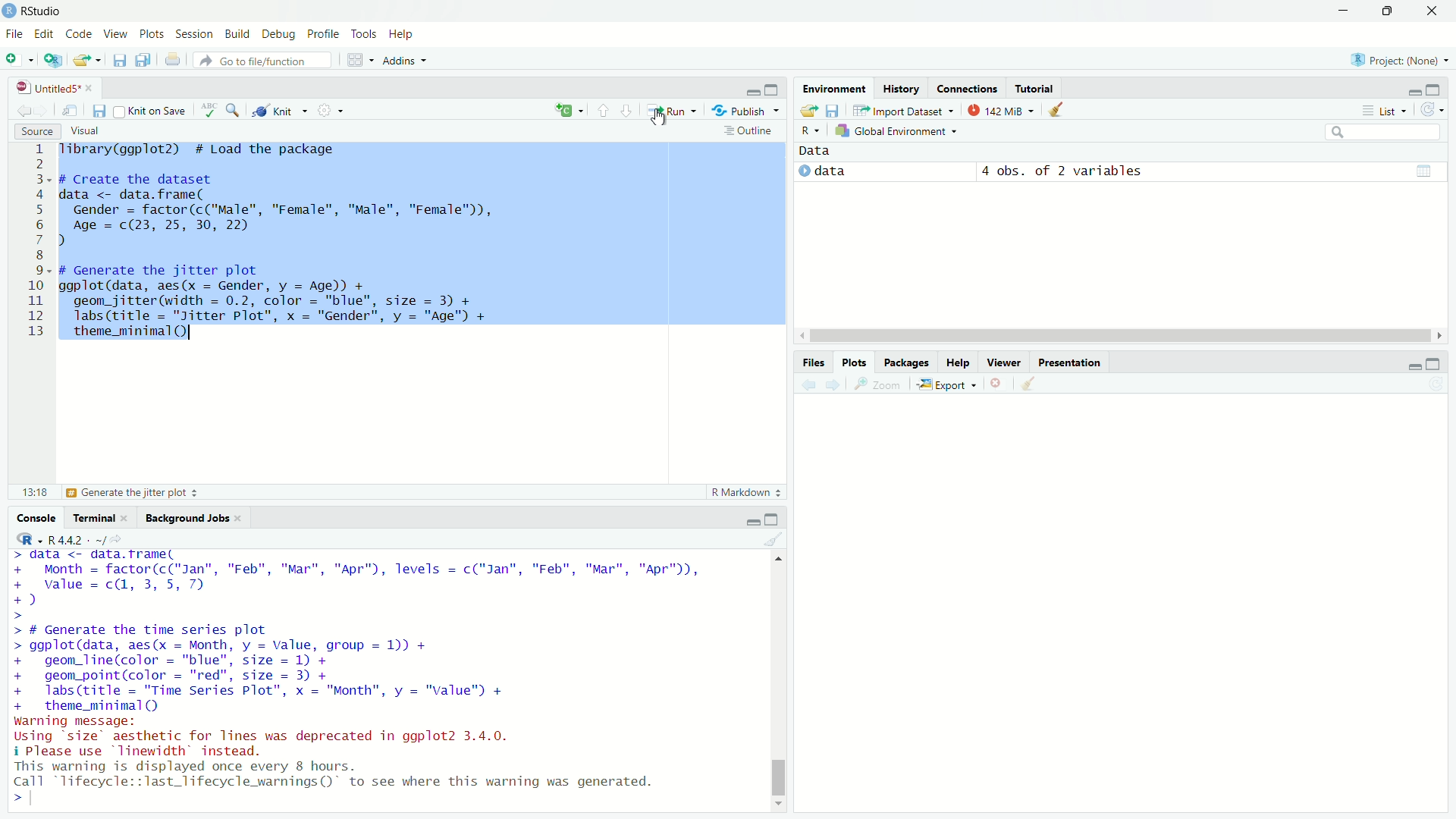 This screenshot has height=819, width=1456. Describe the element at coordinates (774, 539) in the screenshot. I see `clear console` at that location.